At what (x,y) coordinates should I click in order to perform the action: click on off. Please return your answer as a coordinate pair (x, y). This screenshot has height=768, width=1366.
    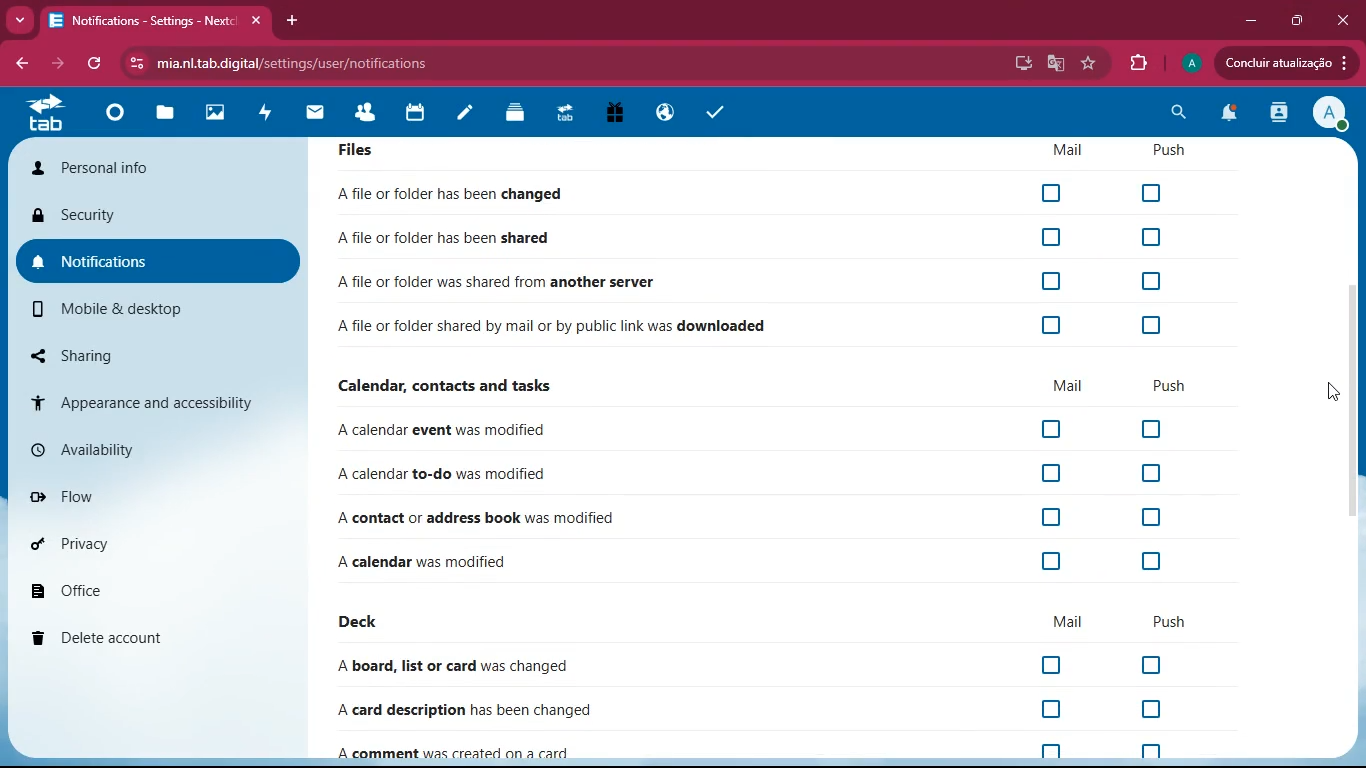
    Looking at the image, I should click on (1054, 430).